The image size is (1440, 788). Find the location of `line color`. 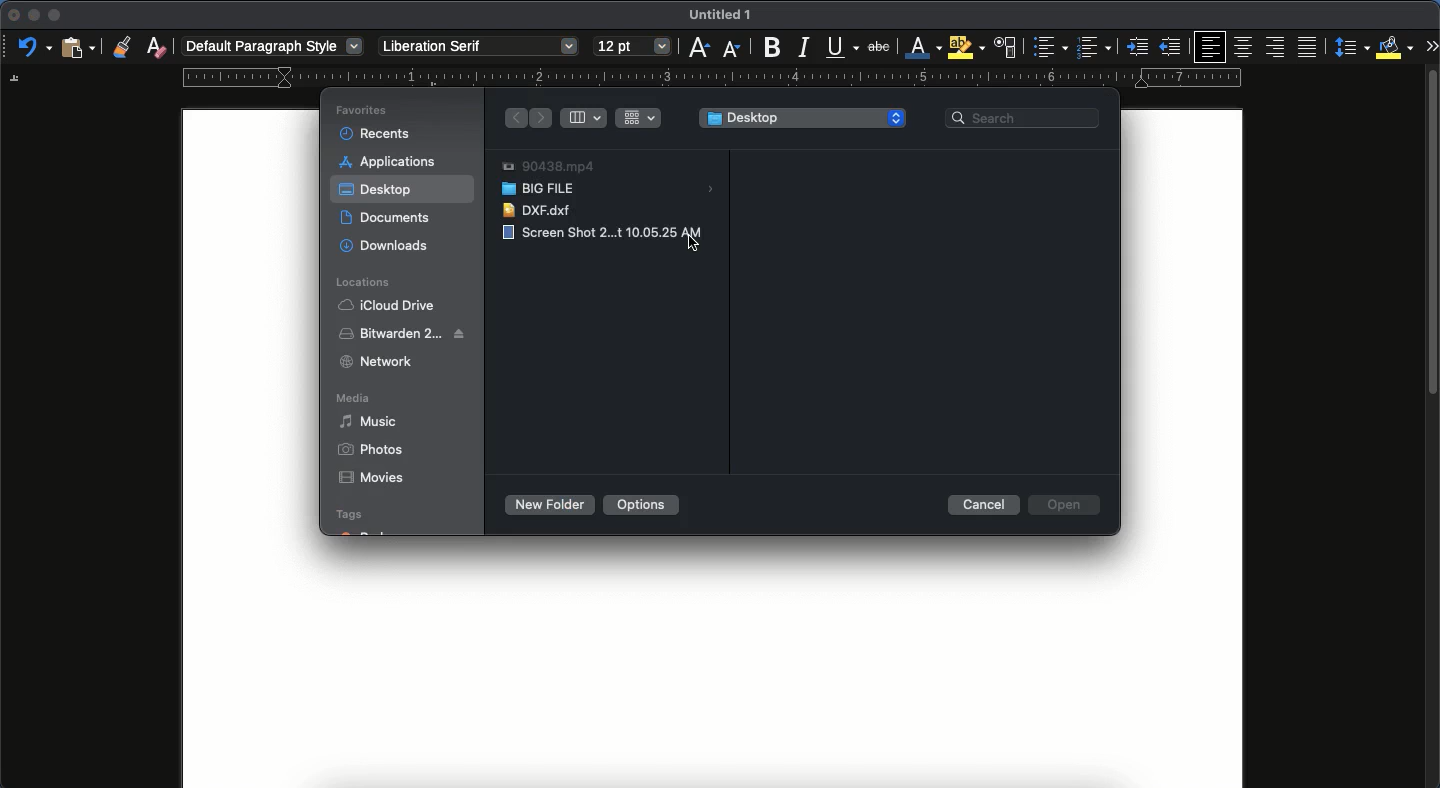

line color is located at coordinates (921, 48).